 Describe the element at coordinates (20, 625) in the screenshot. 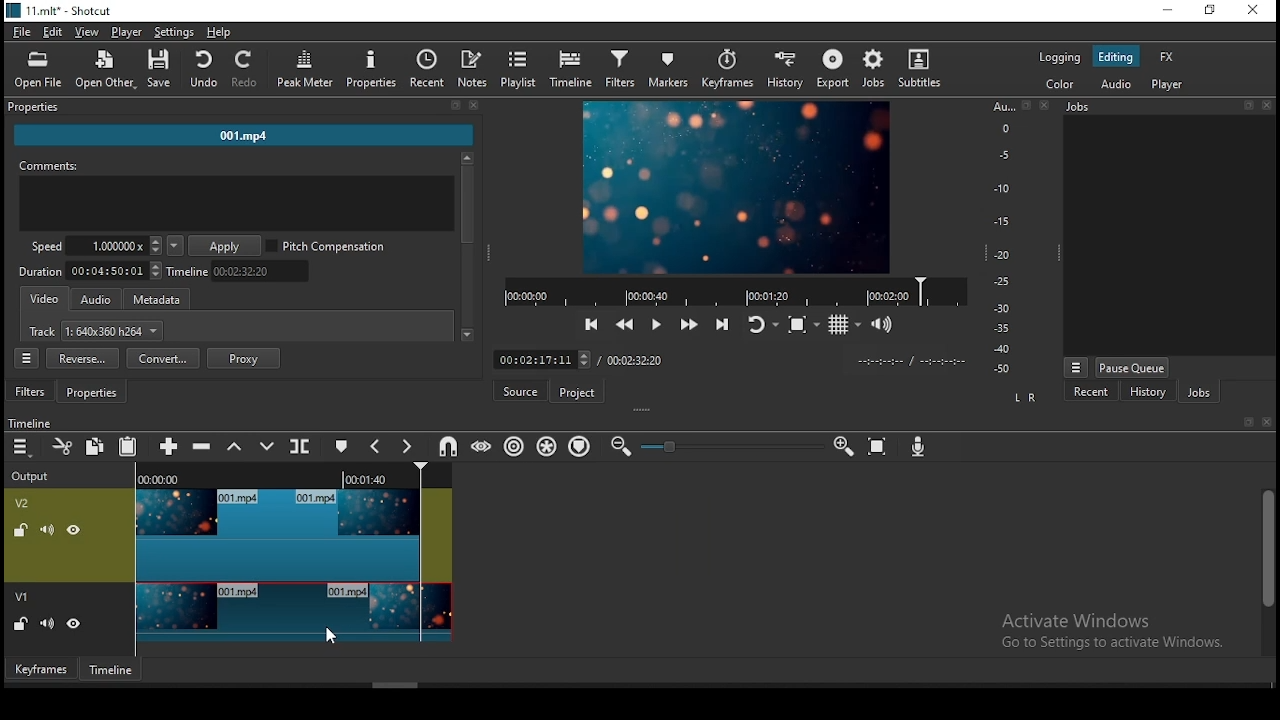

I see `(UN)LOCK` at that location.